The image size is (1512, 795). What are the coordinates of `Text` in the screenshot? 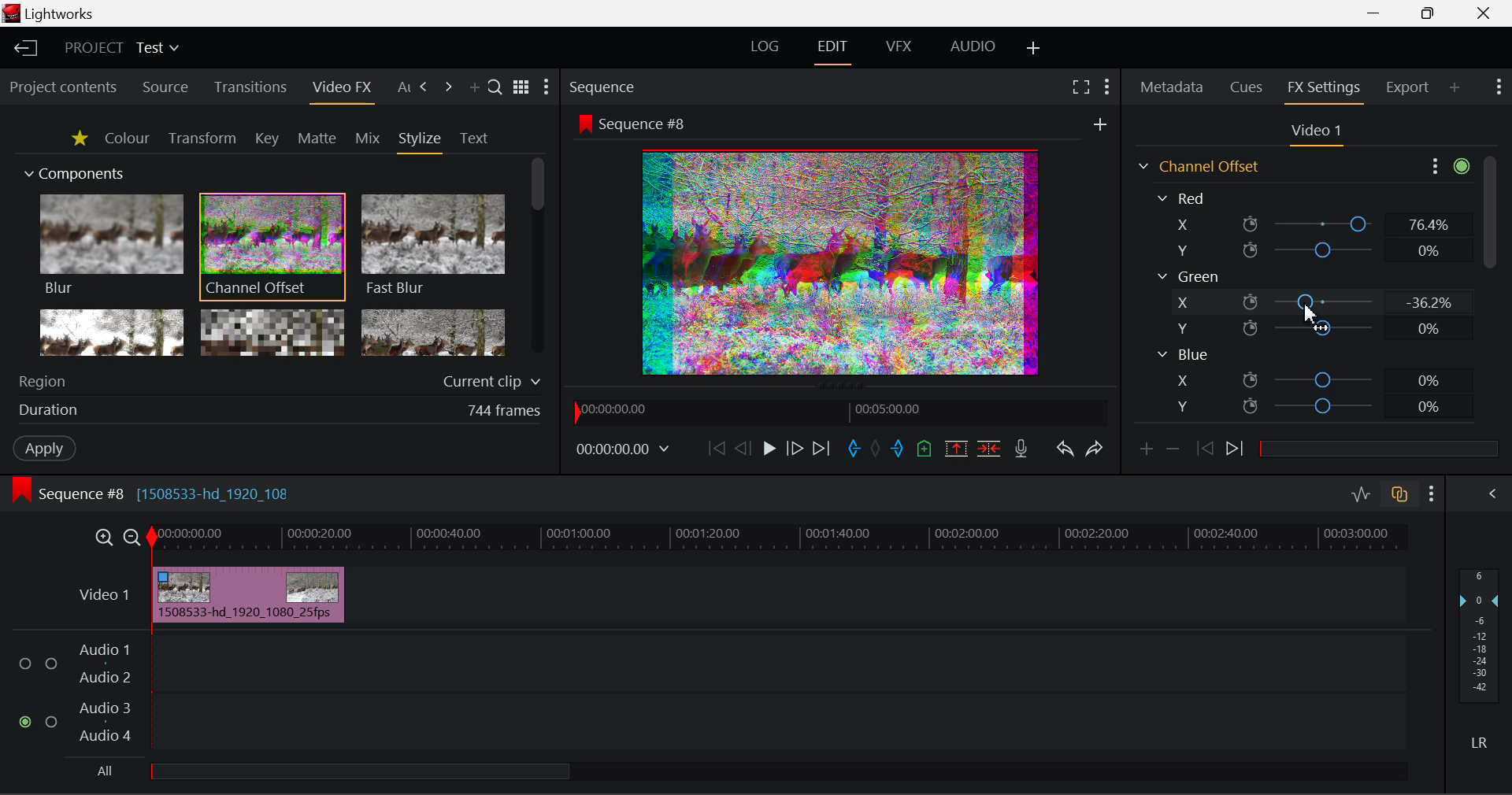 It's located at (473, 139).